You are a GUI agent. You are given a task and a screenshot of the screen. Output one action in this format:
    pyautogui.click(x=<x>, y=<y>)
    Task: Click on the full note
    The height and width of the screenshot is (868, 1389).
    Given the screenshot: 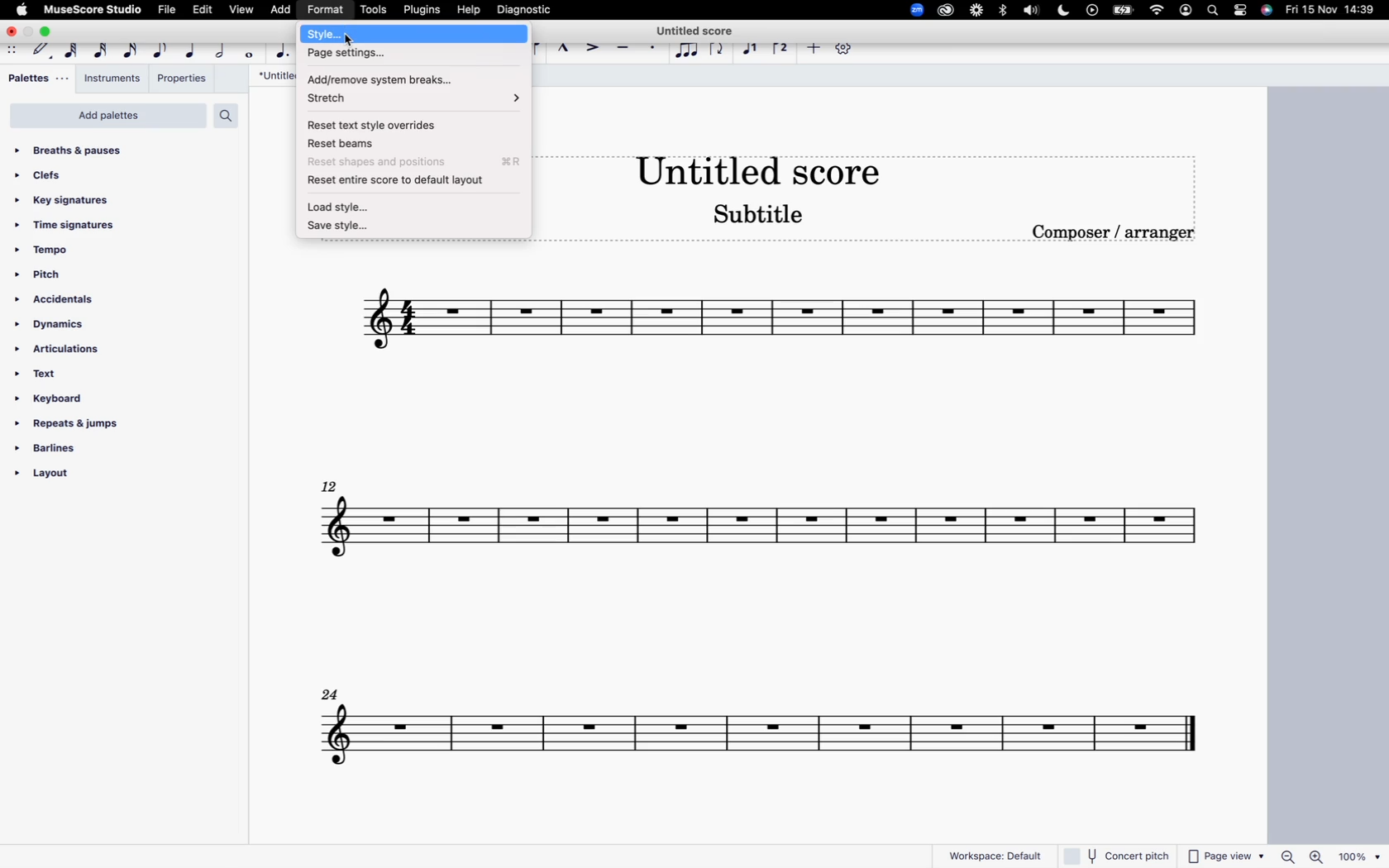 What is the action you would take?
    pyautogui.click(x=251, y=55)
    